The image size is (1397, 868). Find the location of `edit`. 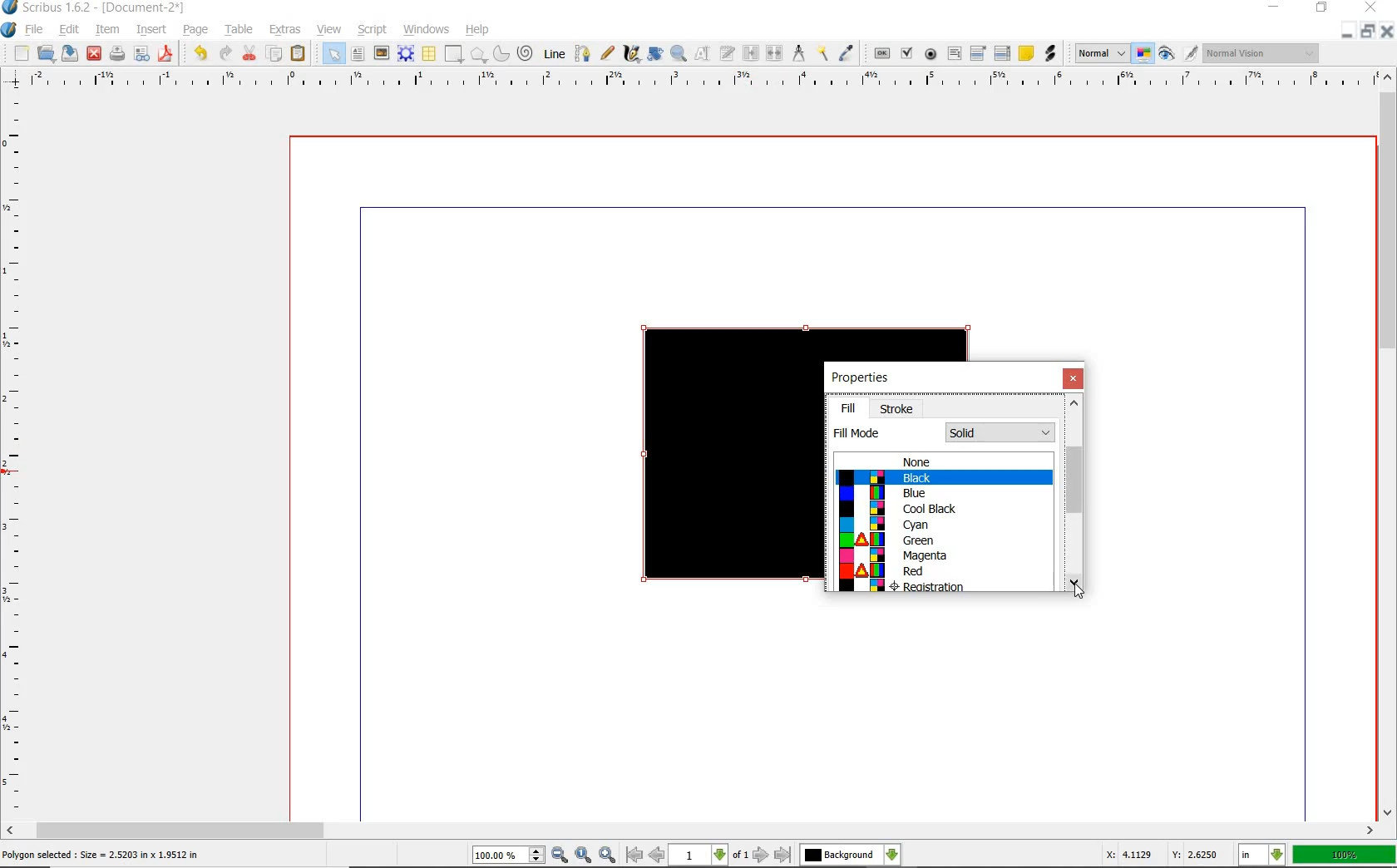

edit is located at coordinates (69, 30).